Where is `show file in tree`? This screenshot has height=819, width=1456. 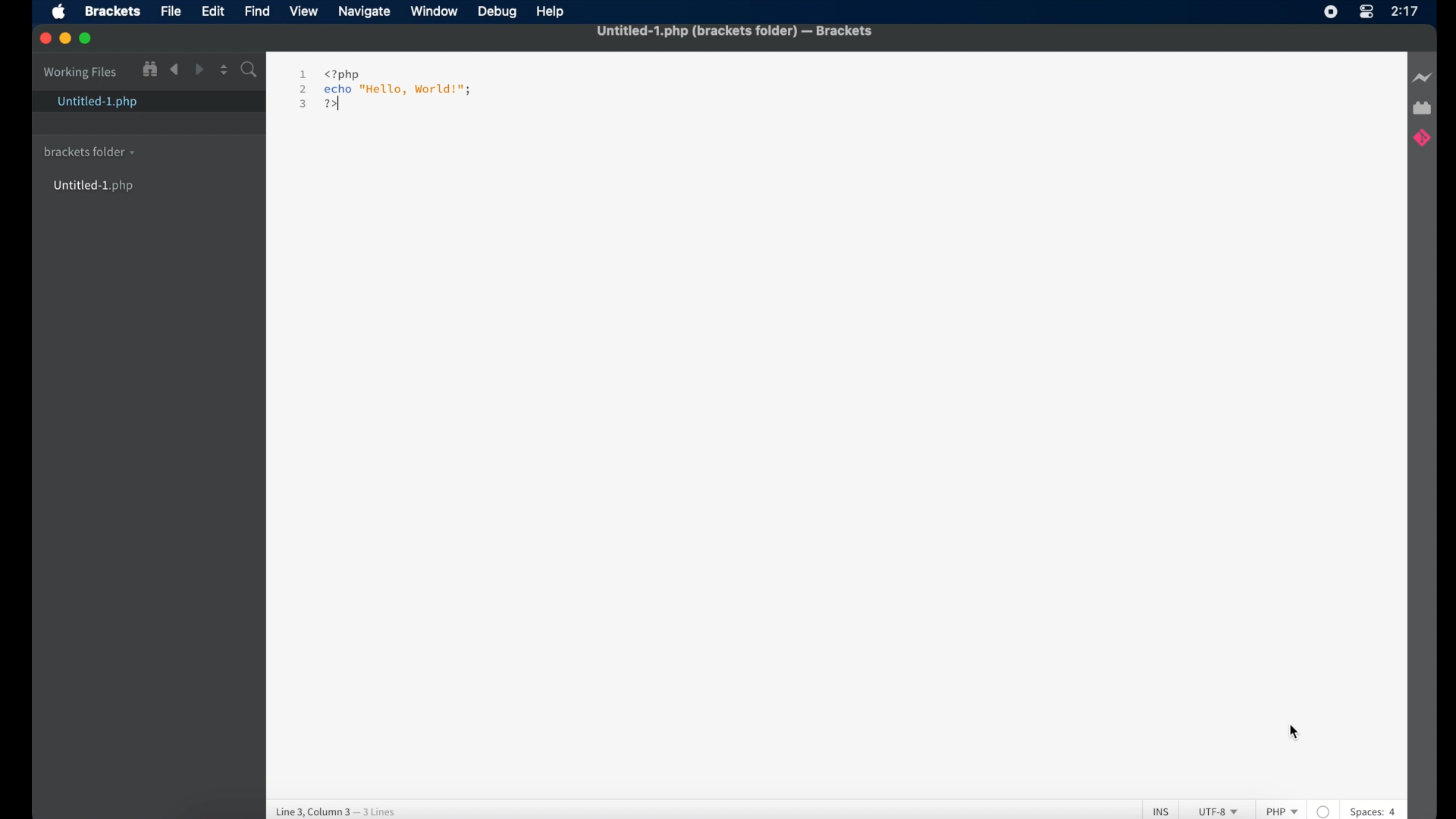 show file in tree is located at coordinates (150, 69).